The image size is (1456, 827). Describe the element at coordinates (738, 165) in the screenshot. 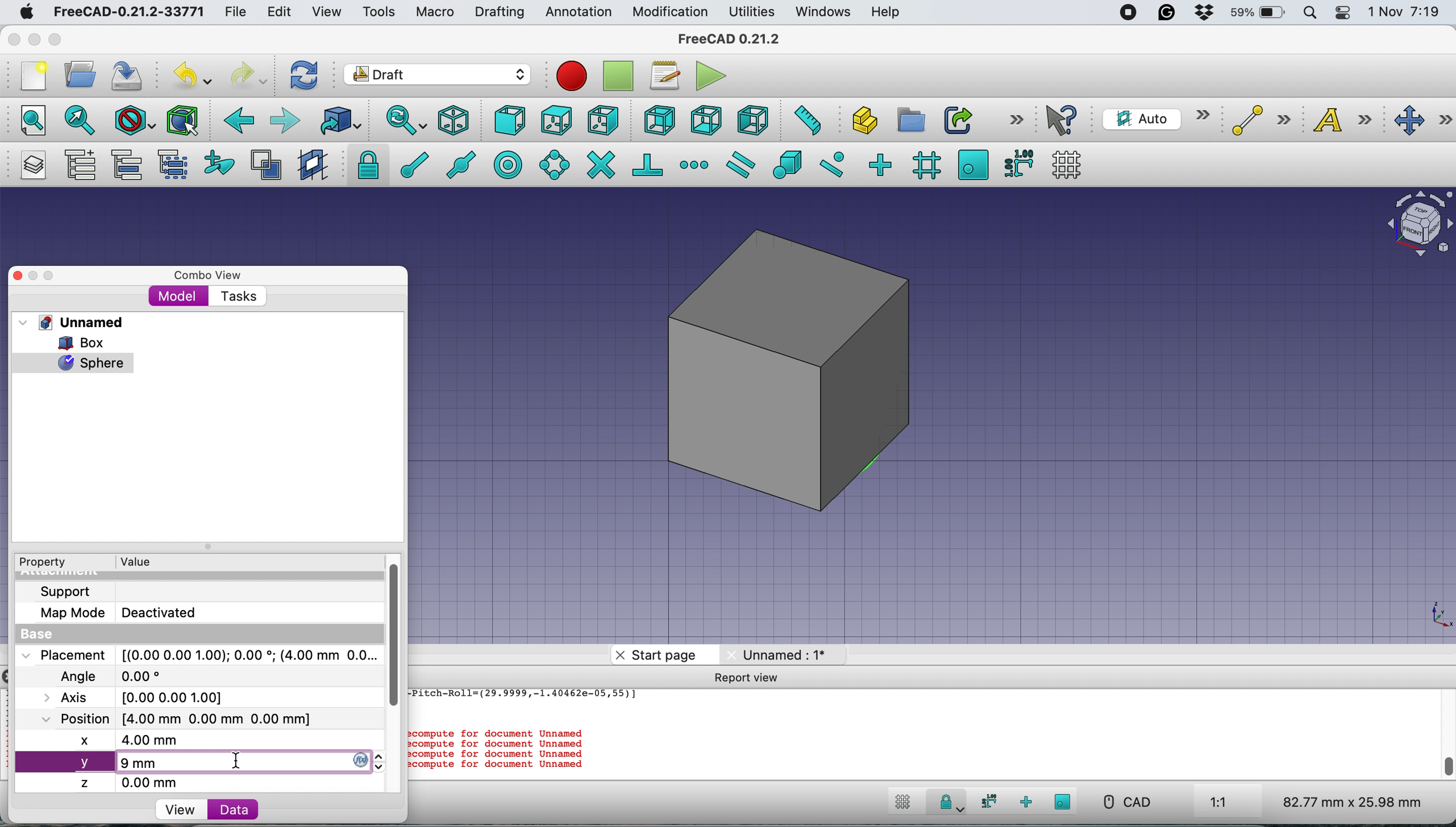

I see `snap parallel` at that location.